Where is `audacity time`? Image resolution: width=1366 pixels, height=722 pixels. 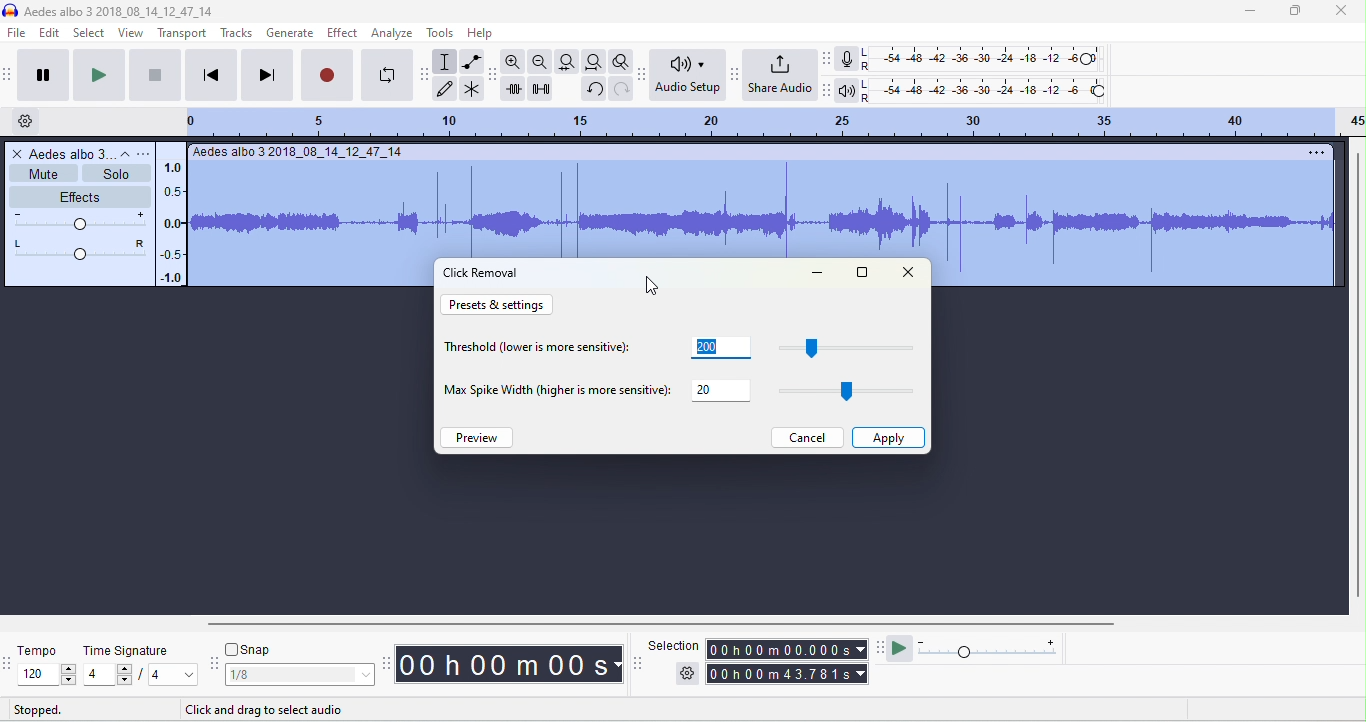
audacity time is located at coordinates (510, 665).